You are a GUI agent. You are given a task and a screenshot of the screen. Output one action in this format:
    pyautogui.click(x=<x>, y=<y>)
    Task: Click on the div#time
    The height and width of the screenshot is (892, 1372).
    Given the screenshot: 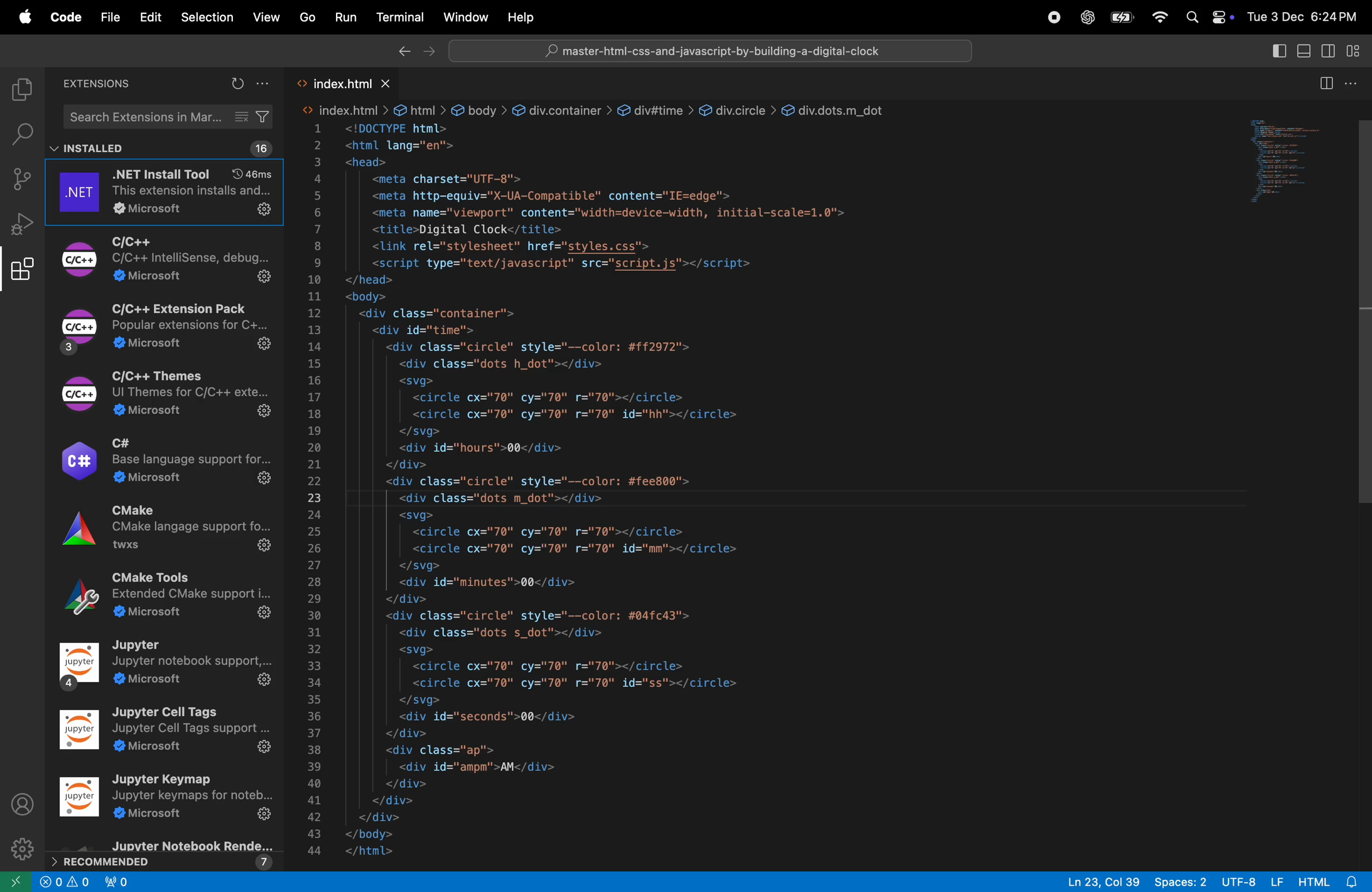 What is the action you would take?
    pyautogui.click(x=646, y=109)
    